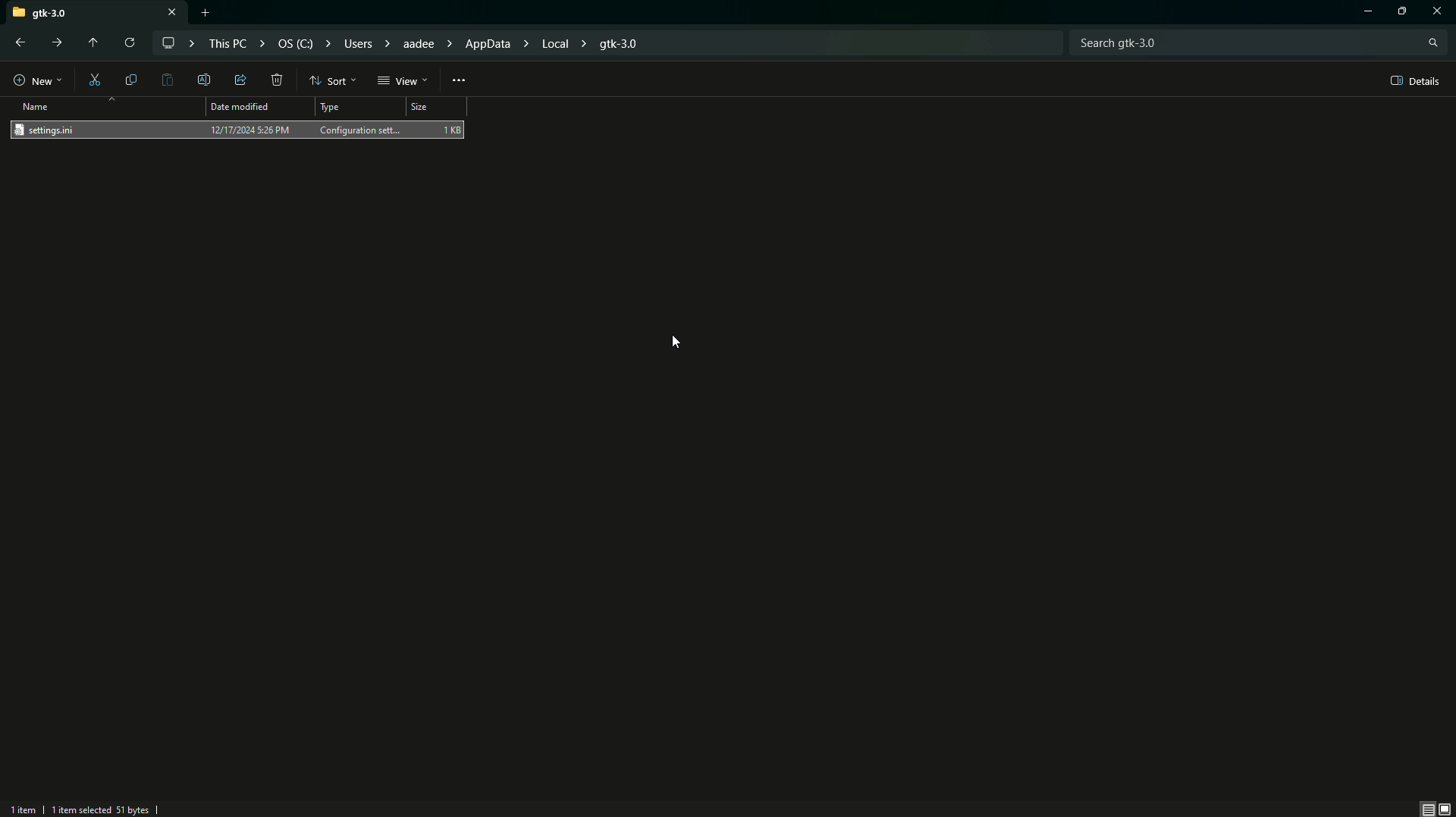  What do you see at coordinates (127, 43) in the screenshot?
I see `Reload` at bounding box center [127, 43].